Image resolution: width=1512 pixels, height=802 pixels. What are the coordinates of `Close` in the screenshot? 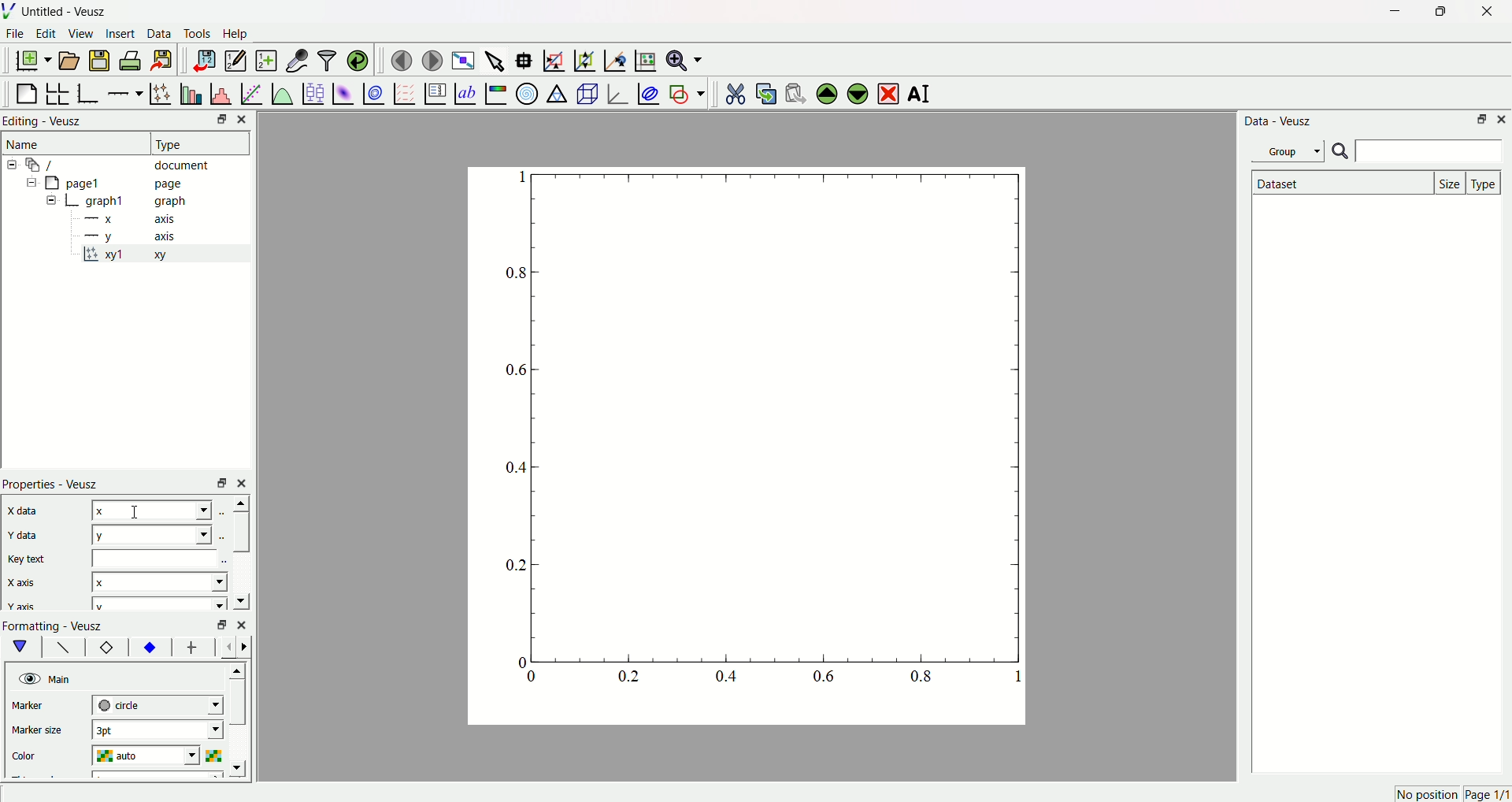 It's located at (246, 119).